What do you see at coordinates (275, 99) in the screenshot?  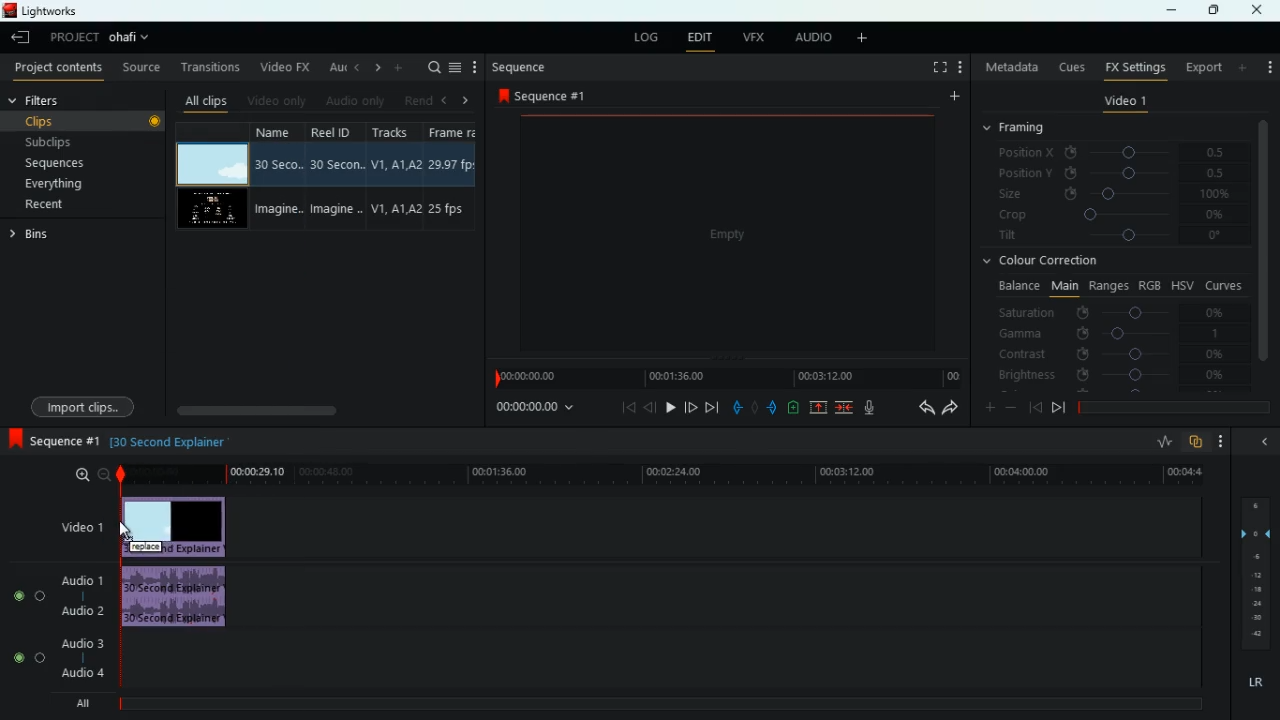 I see `video only` at bounding box center [275, 99].